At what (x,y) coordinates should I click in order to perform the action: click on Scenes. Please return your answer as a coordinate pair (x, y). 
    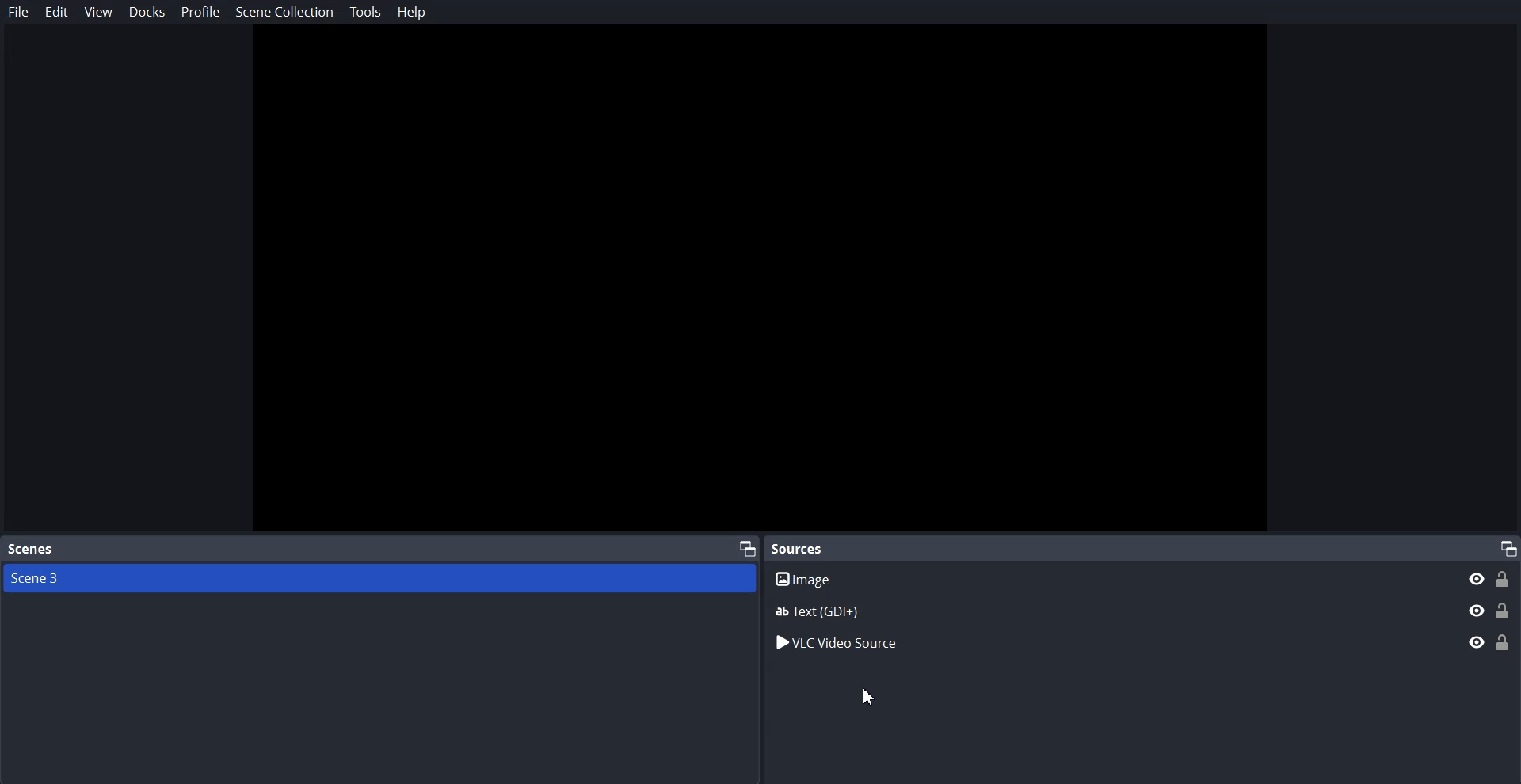
    Looking at the image, I should click on (30, 550).